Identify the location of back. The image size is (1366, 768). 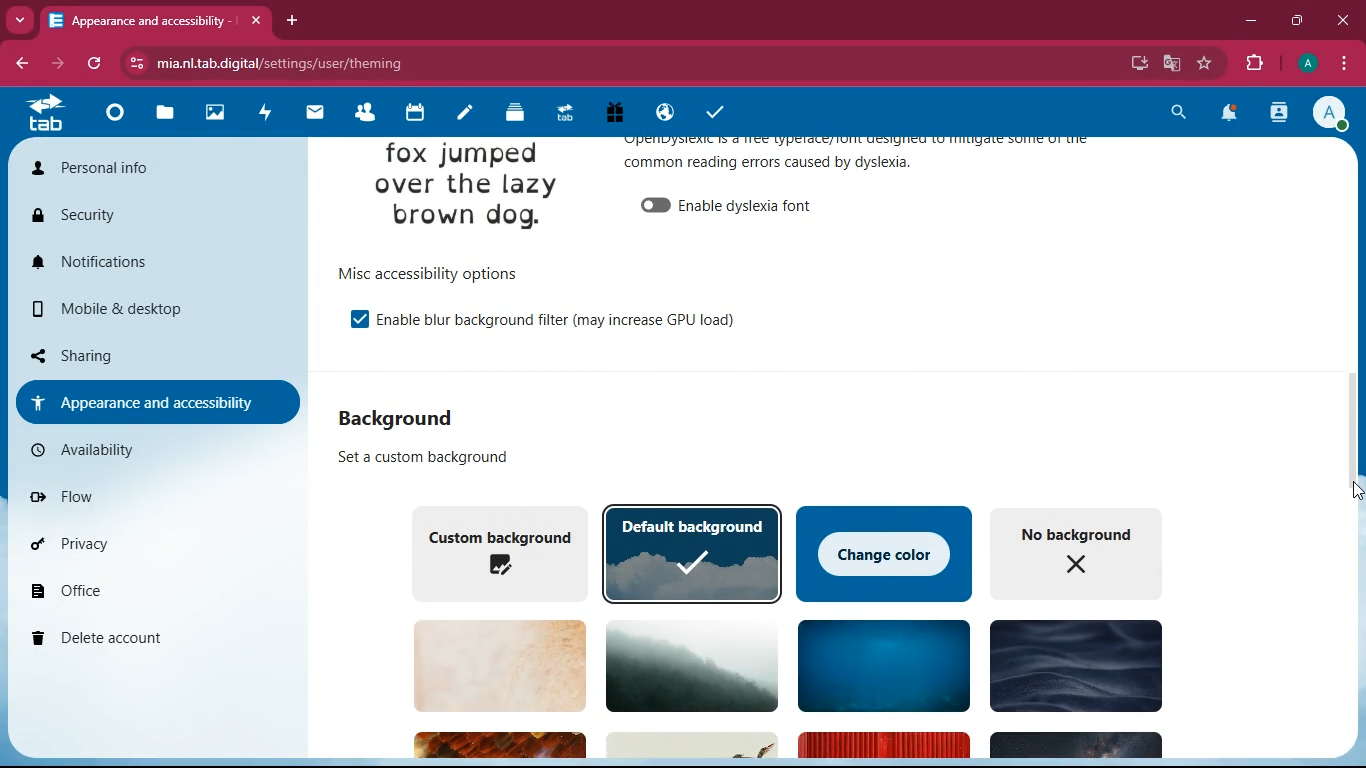
(17, 65).